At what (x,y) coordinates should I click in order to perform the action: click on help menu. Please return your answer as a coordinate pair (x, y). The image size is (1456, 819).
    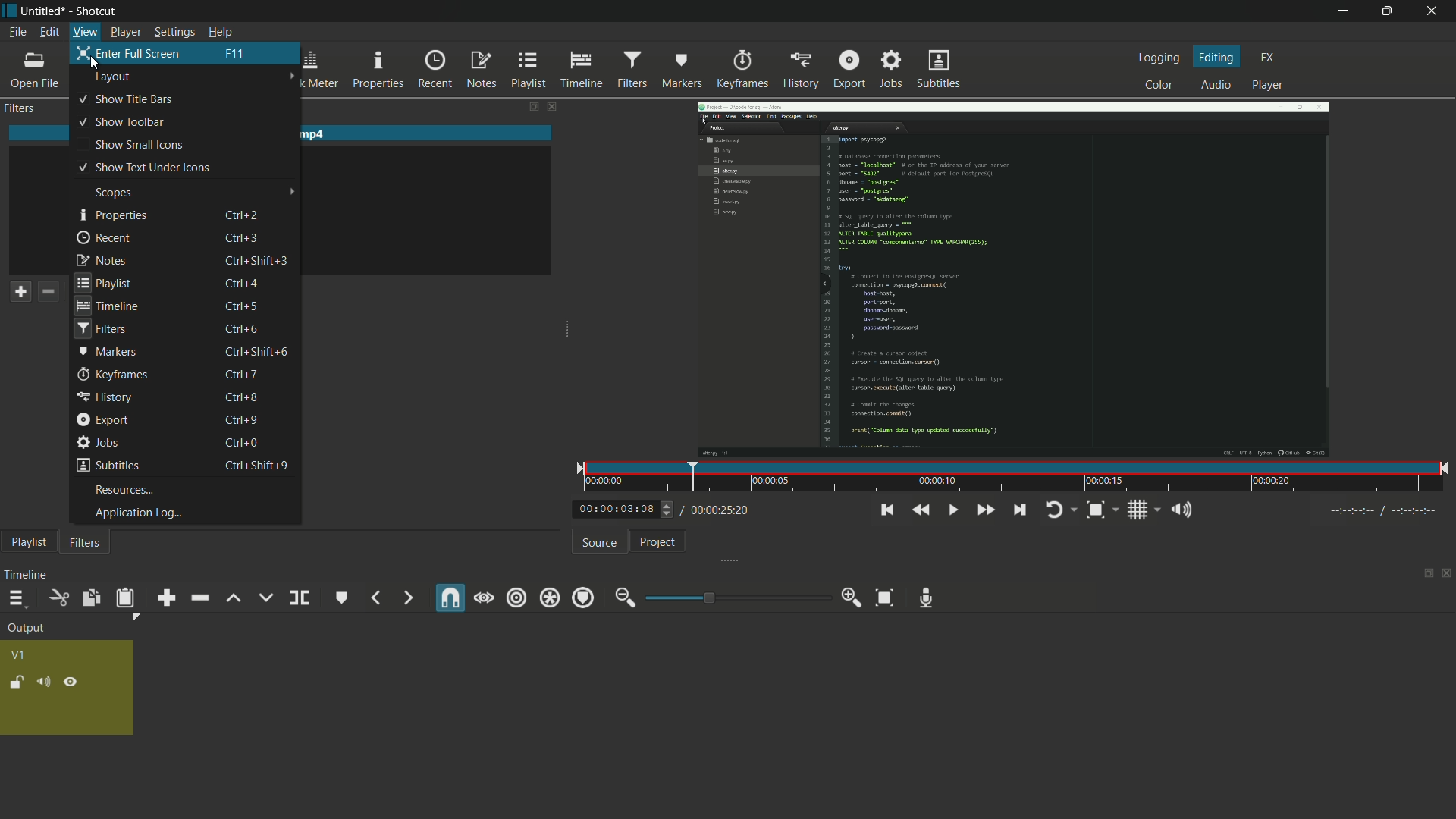
    Looking at the image, I should click on (219, 32).